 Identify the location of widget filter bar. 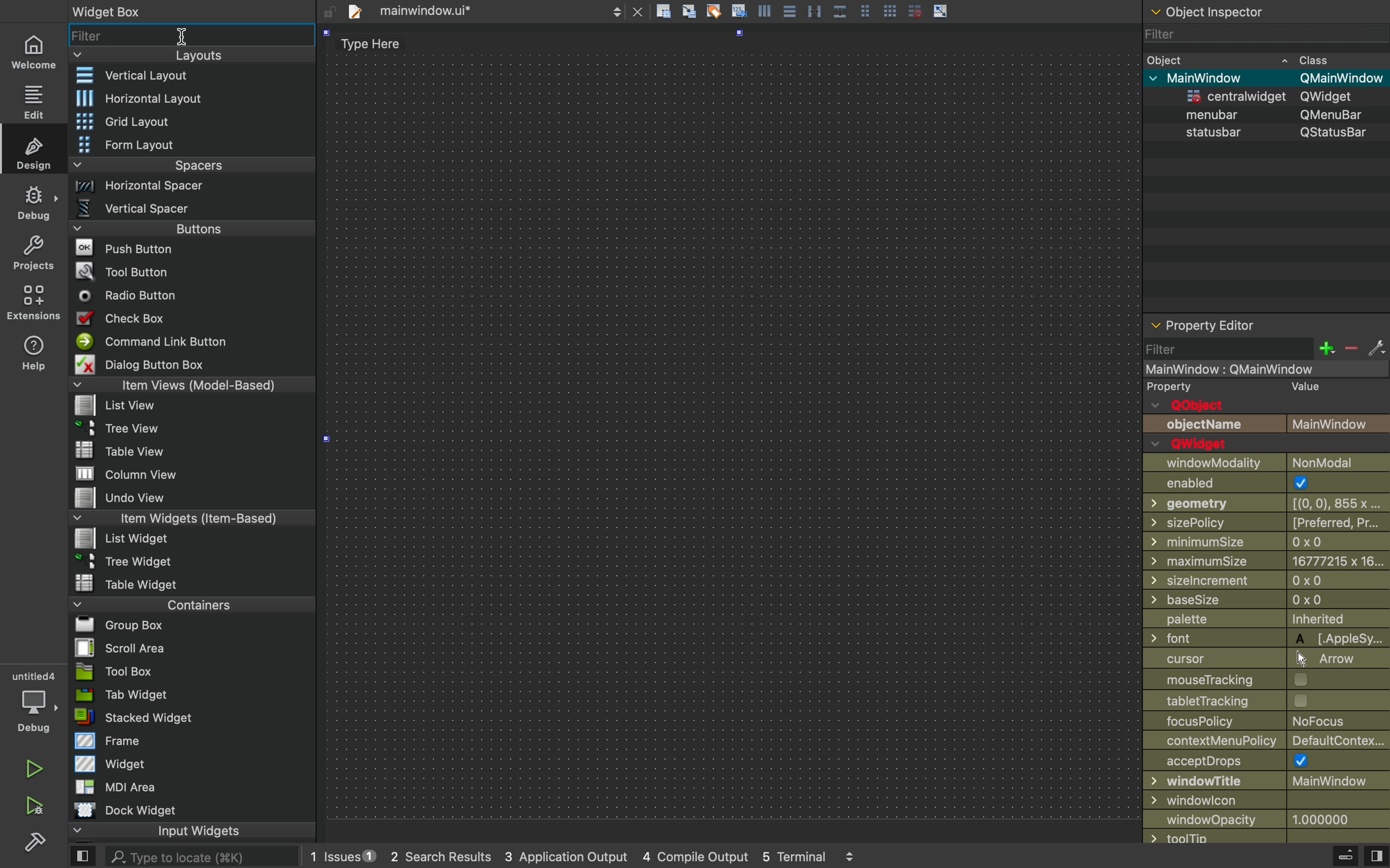
(191, 33).